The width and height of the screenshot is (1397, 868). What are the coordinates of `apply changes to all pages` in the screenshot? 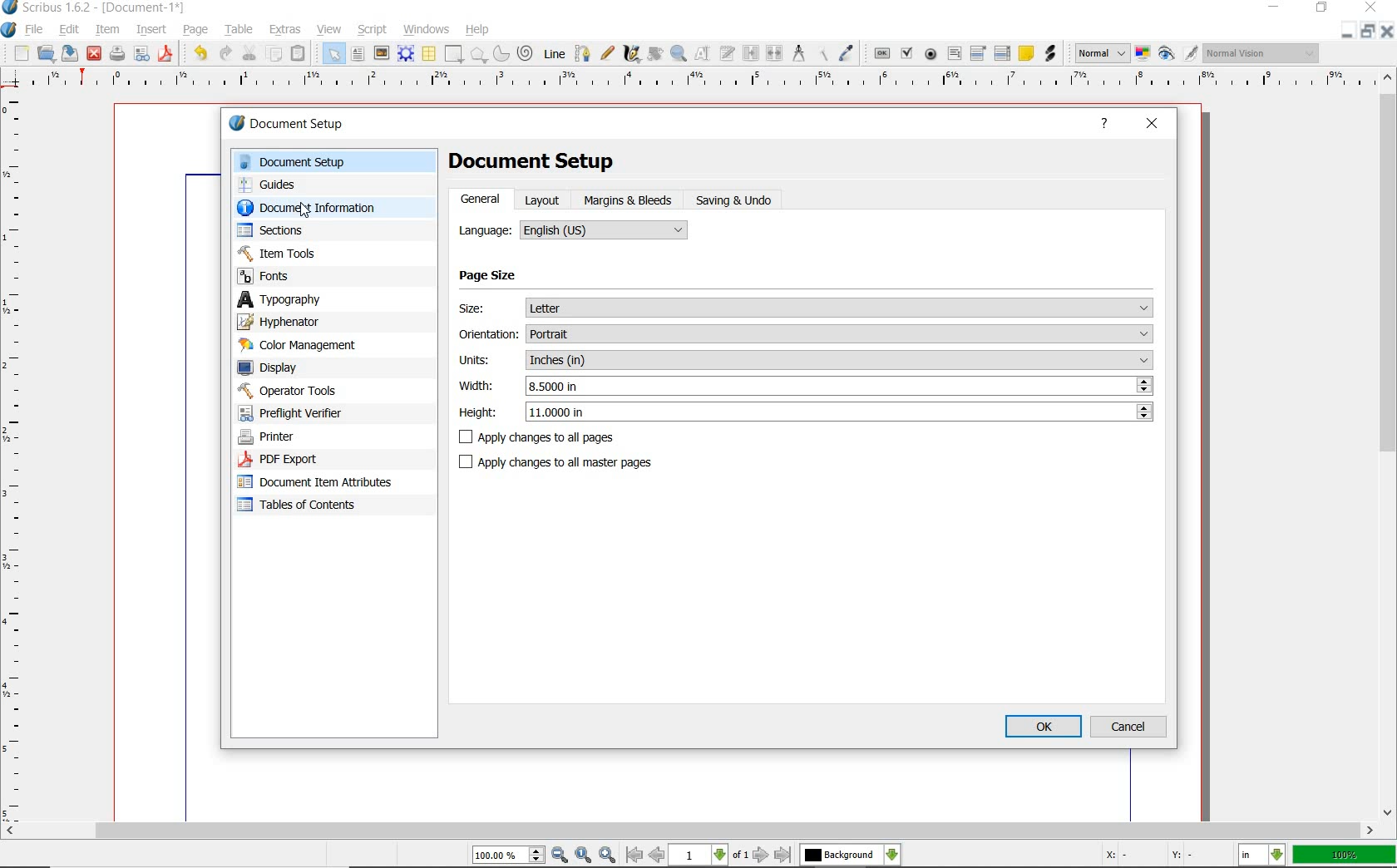 It's located at (592, 439).